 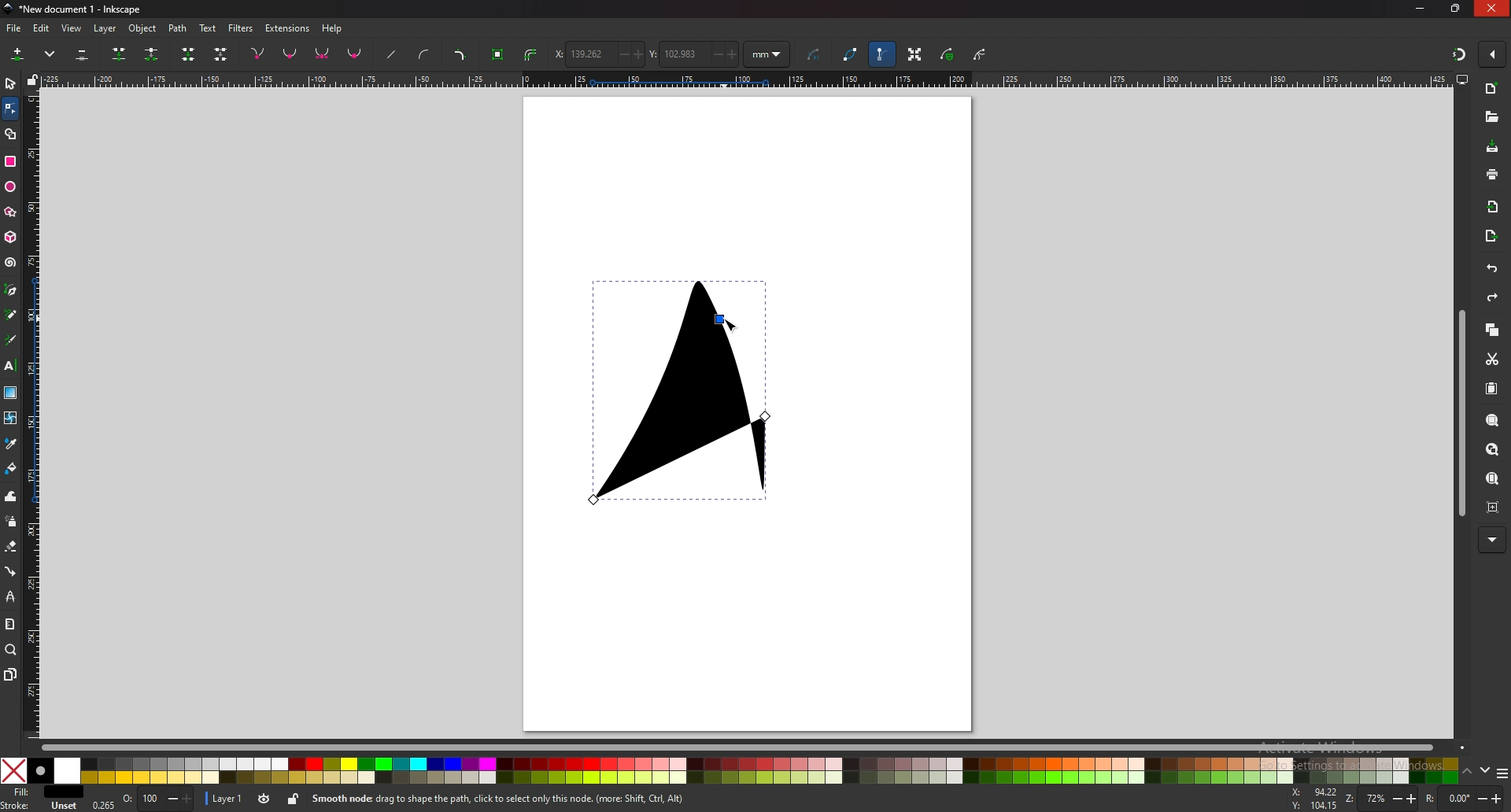 What do you see at coordinates (849, 53) in the screenshot?
I see `path outline` at bounding box center [849, 53].